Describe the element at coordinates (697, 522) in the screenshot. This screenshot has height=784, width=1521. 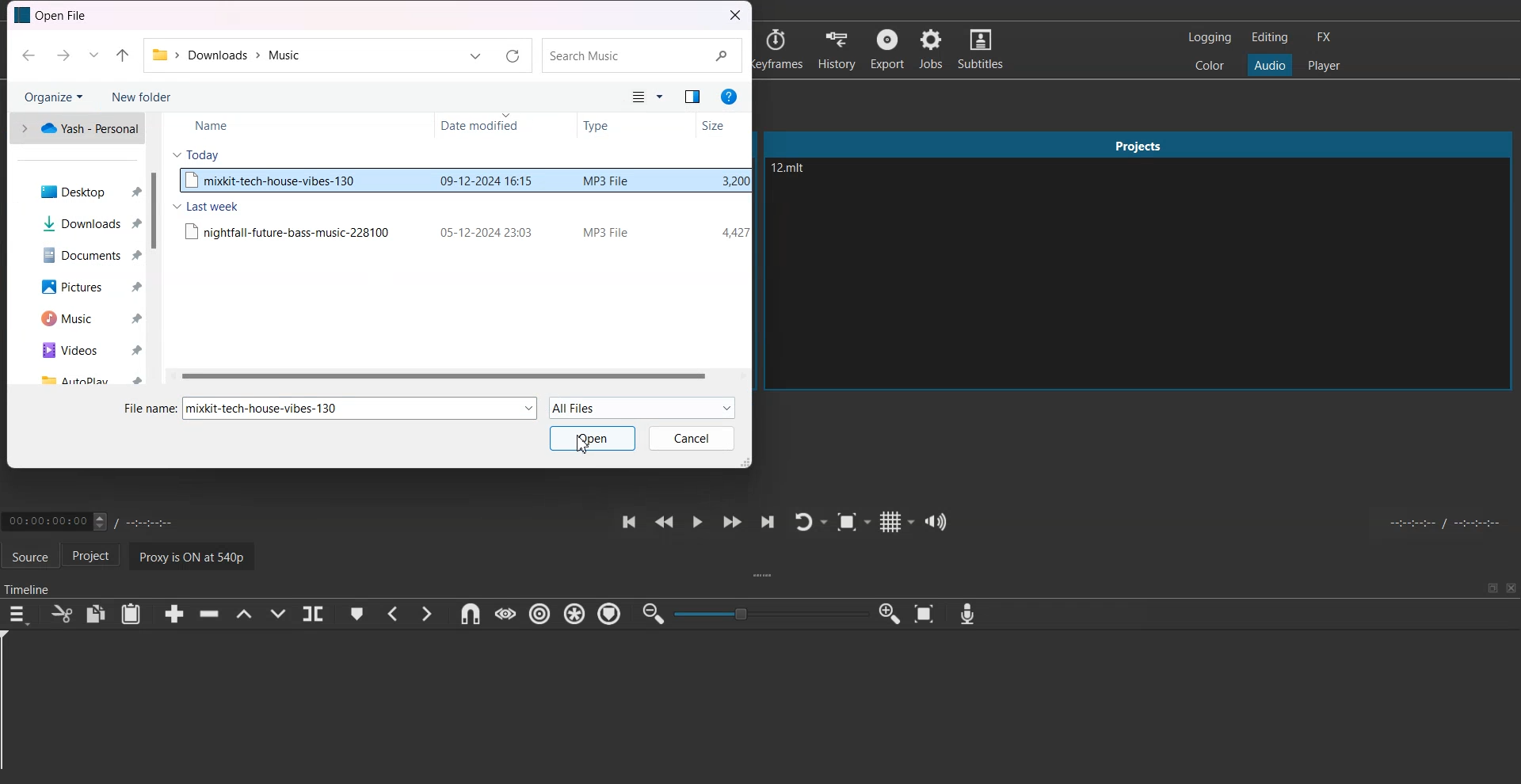
I see `Toggle play or pause` at that location.